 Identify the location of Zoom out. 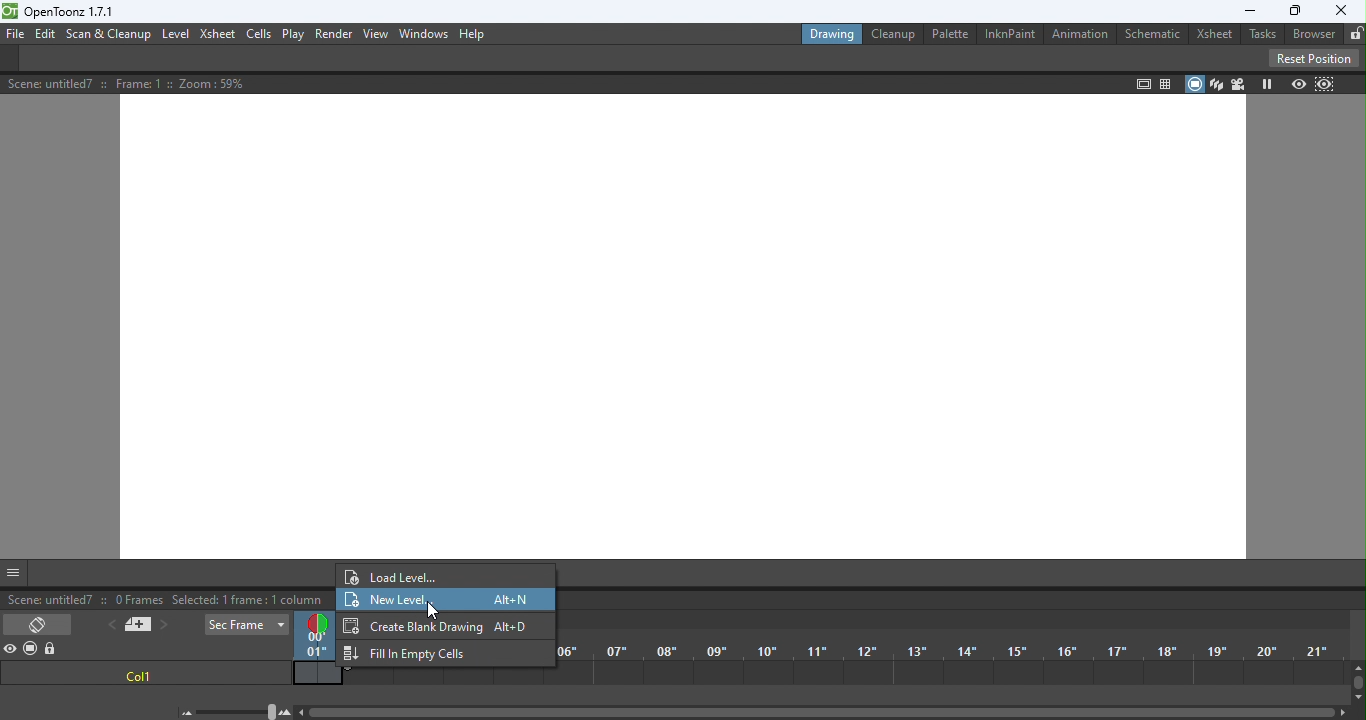
(185, 712).